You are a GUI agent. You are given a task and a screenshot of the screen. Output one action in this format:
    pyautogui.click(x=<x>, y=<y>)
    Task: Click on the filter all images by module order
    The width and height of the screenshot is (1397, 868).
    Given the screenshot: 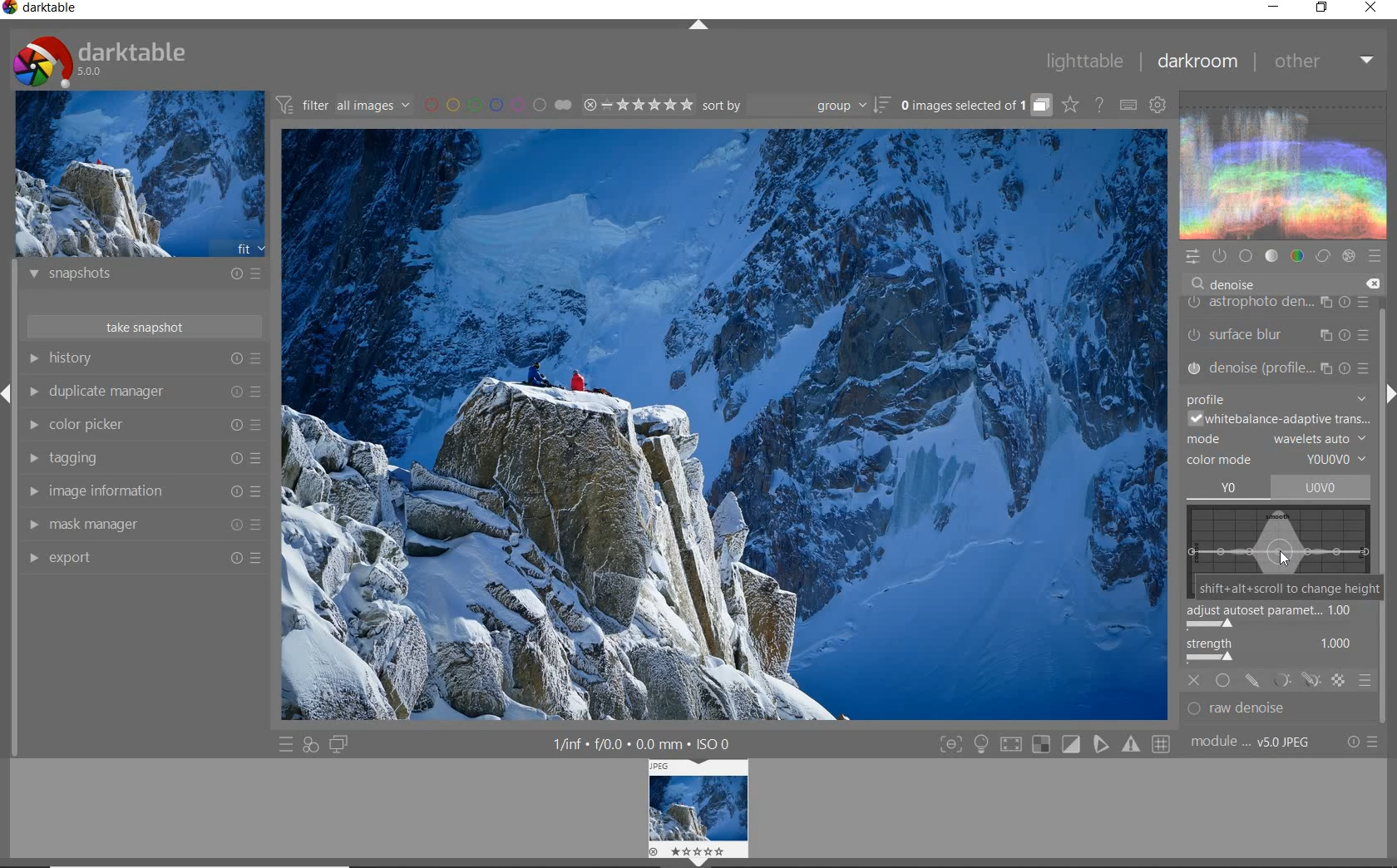 What is the action you would take?
    pyautogui.click(x=344, y=104)
    